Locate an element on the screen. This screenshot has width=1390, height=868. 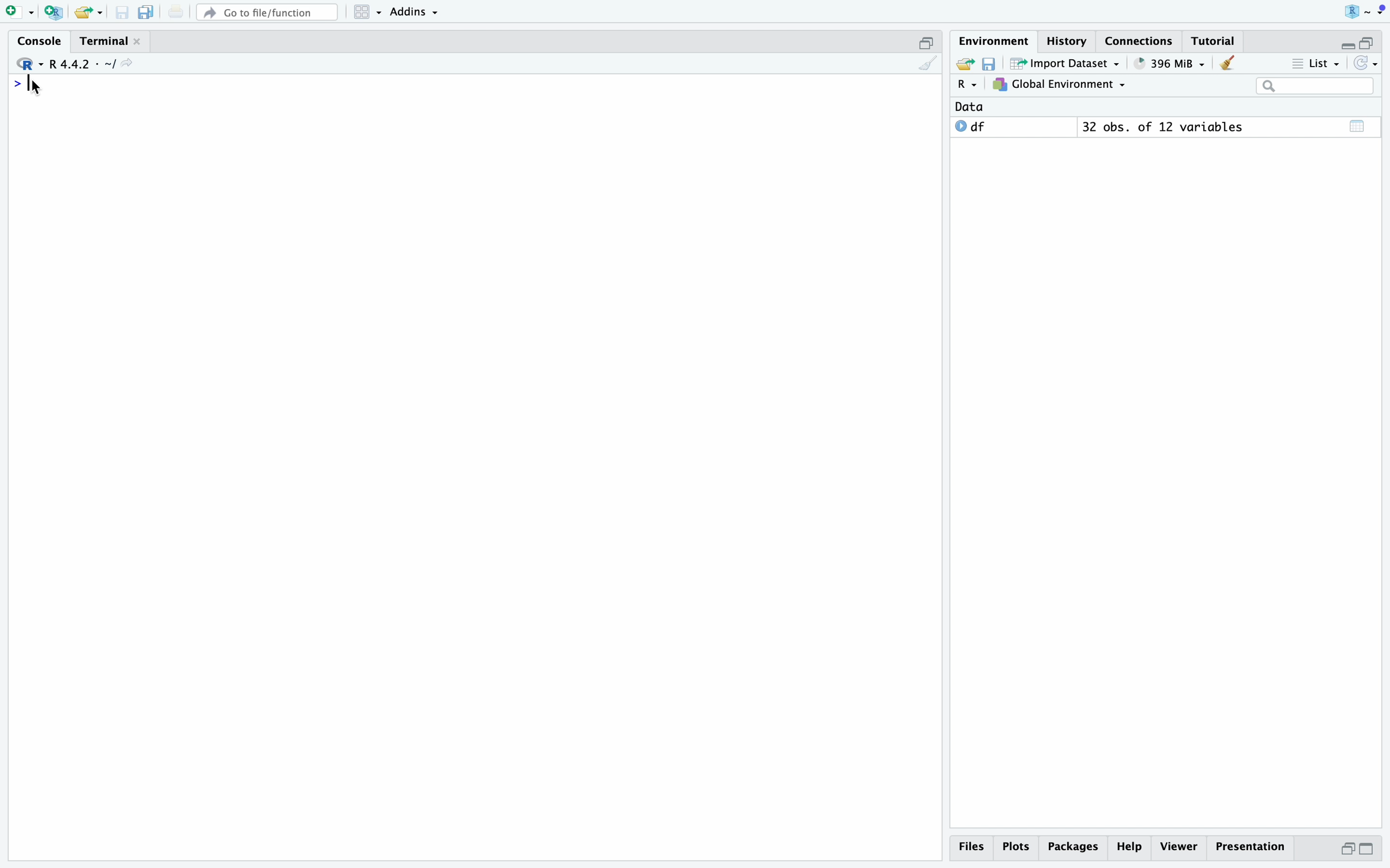
copy is located at coordinates (148, 13).